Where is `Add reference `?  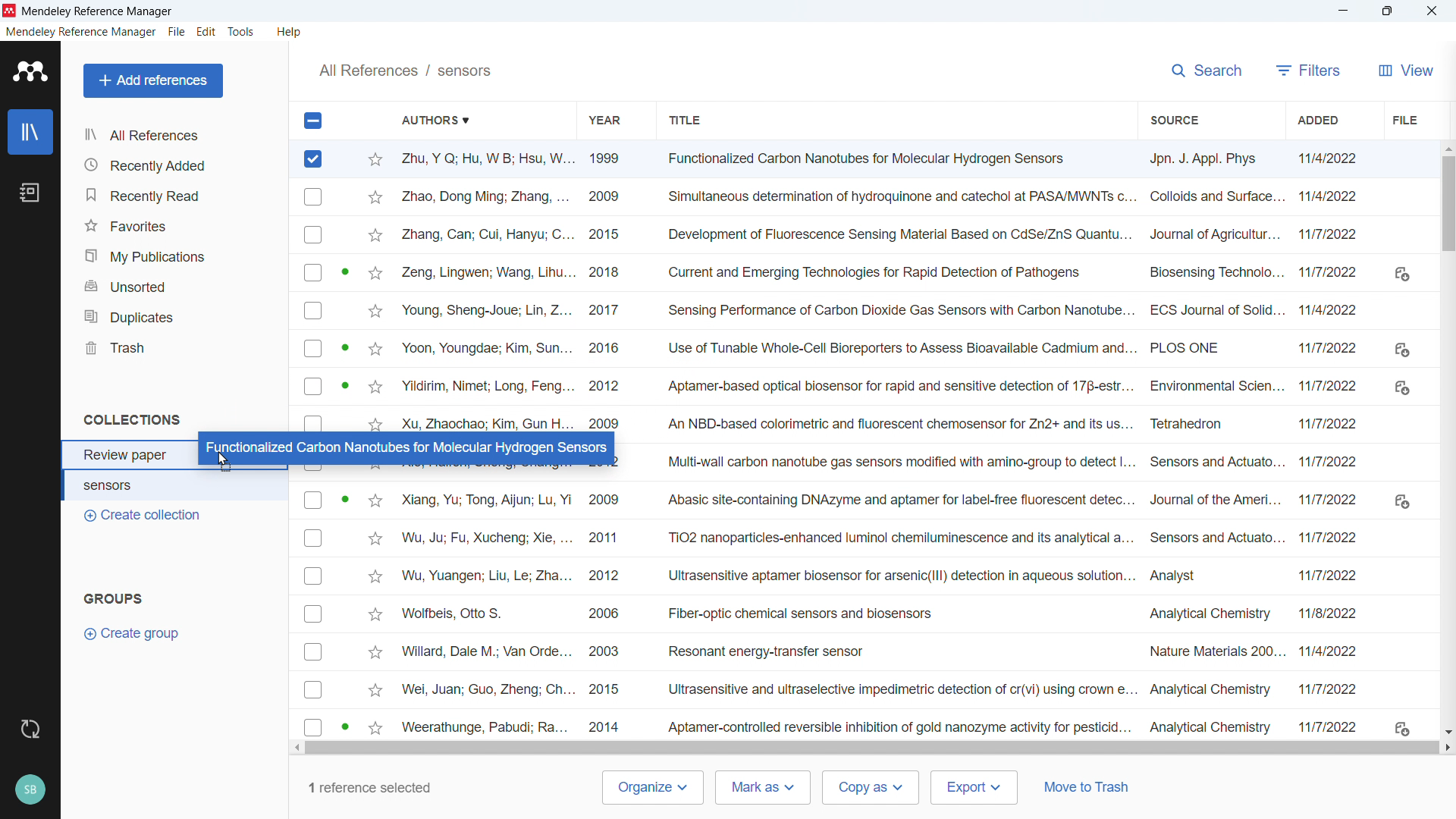 Add reference  is located at coordinates (154, 81).